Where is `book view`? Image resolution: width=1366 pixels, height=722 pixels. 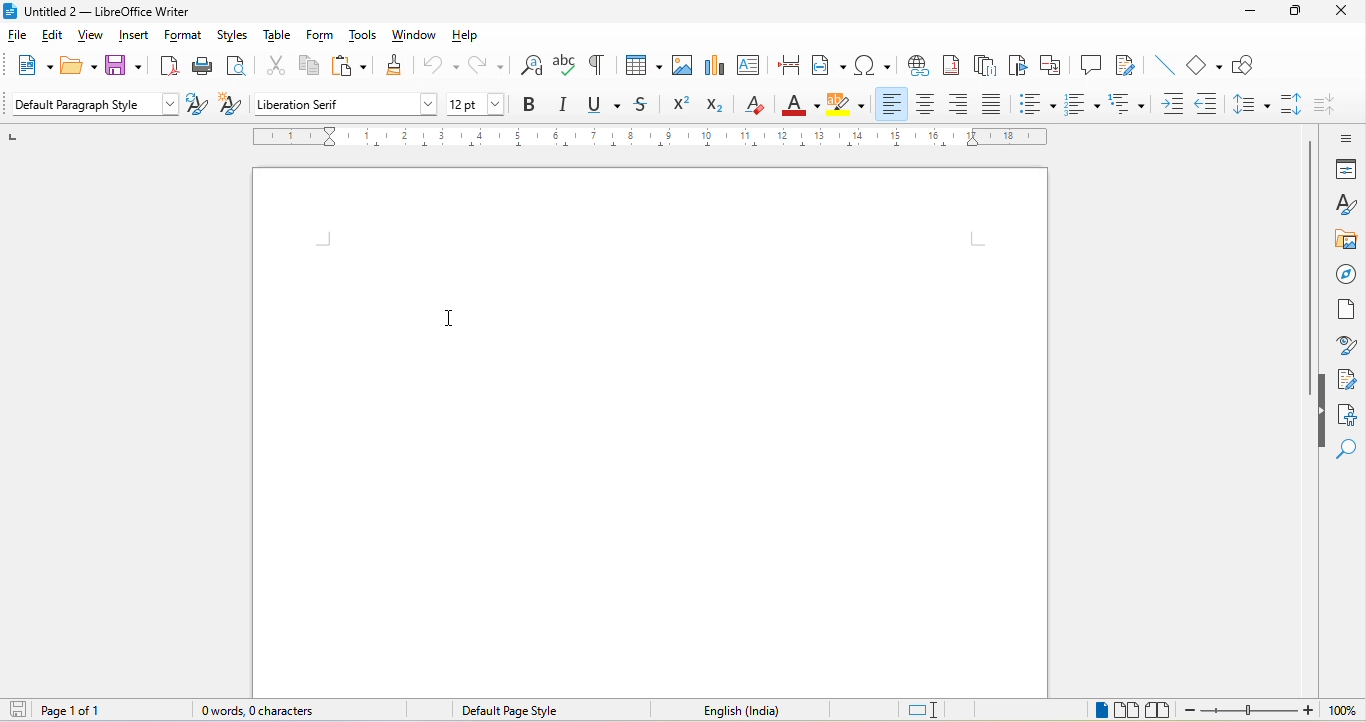
book view is located at coordinates (1162, 710).